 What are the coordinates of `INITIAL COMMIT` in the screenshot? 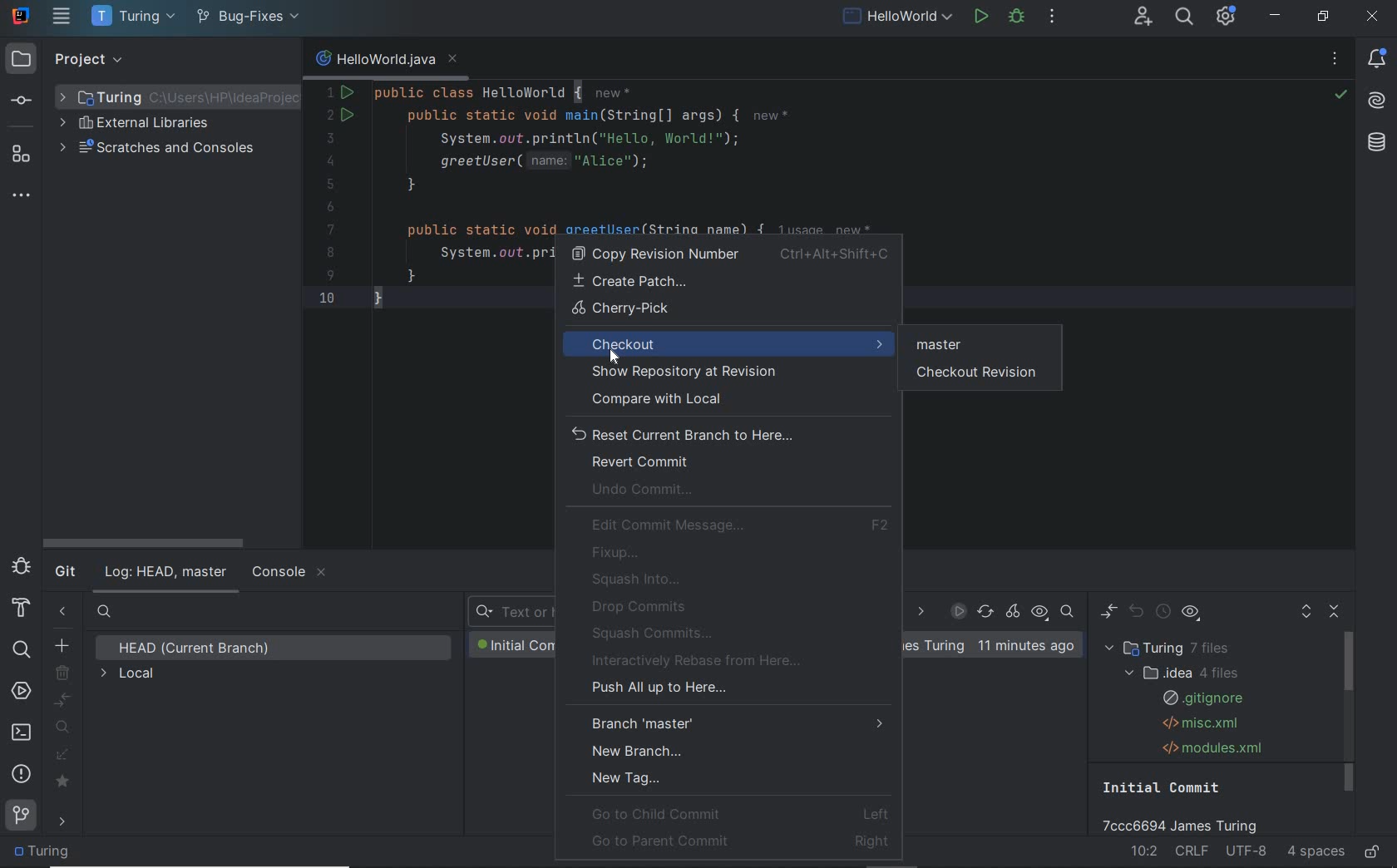 It's located at (513, 645).